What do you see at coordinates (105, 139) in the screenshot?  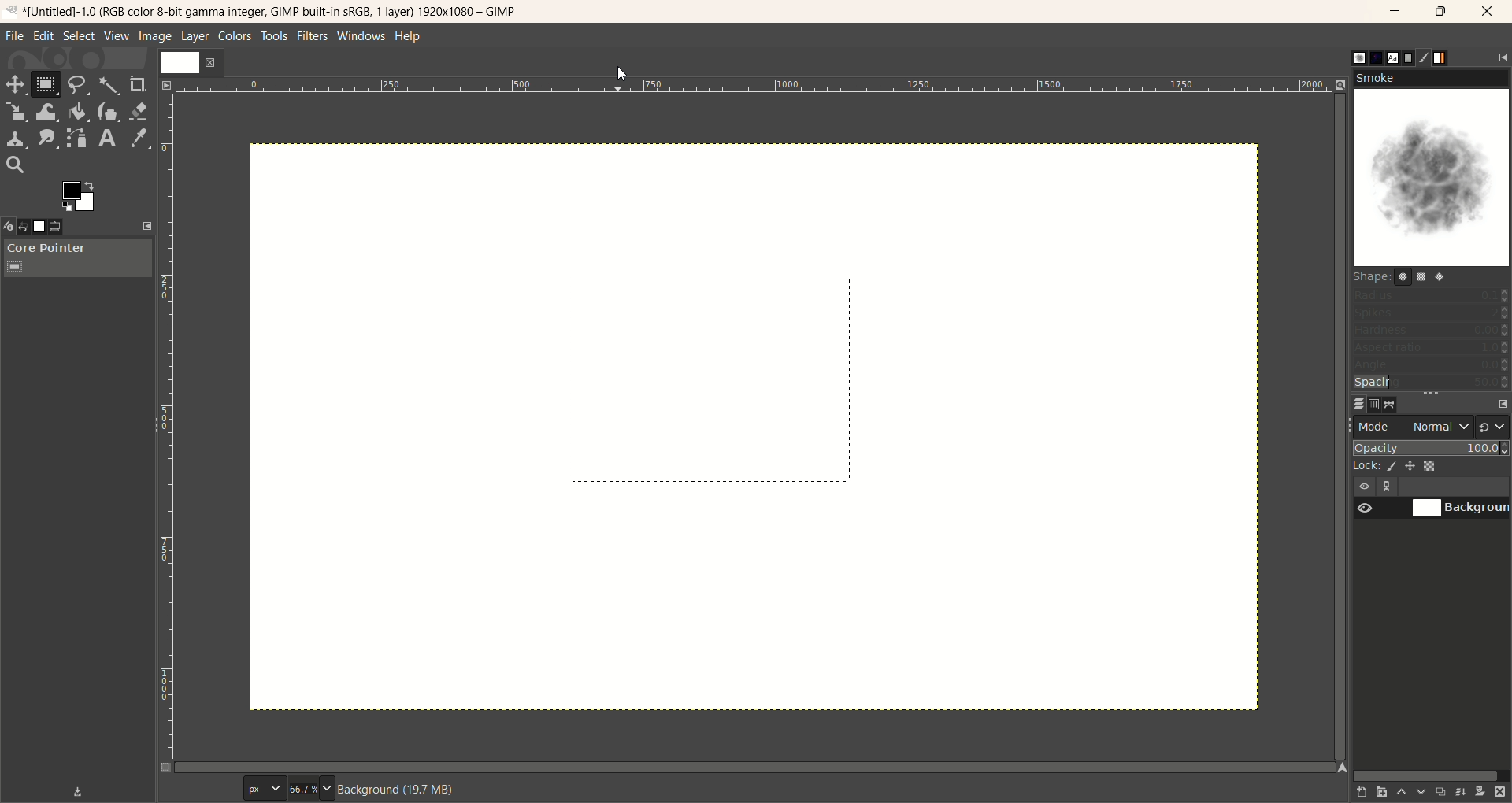 I see `text tool` at bounding box center [105, 139].